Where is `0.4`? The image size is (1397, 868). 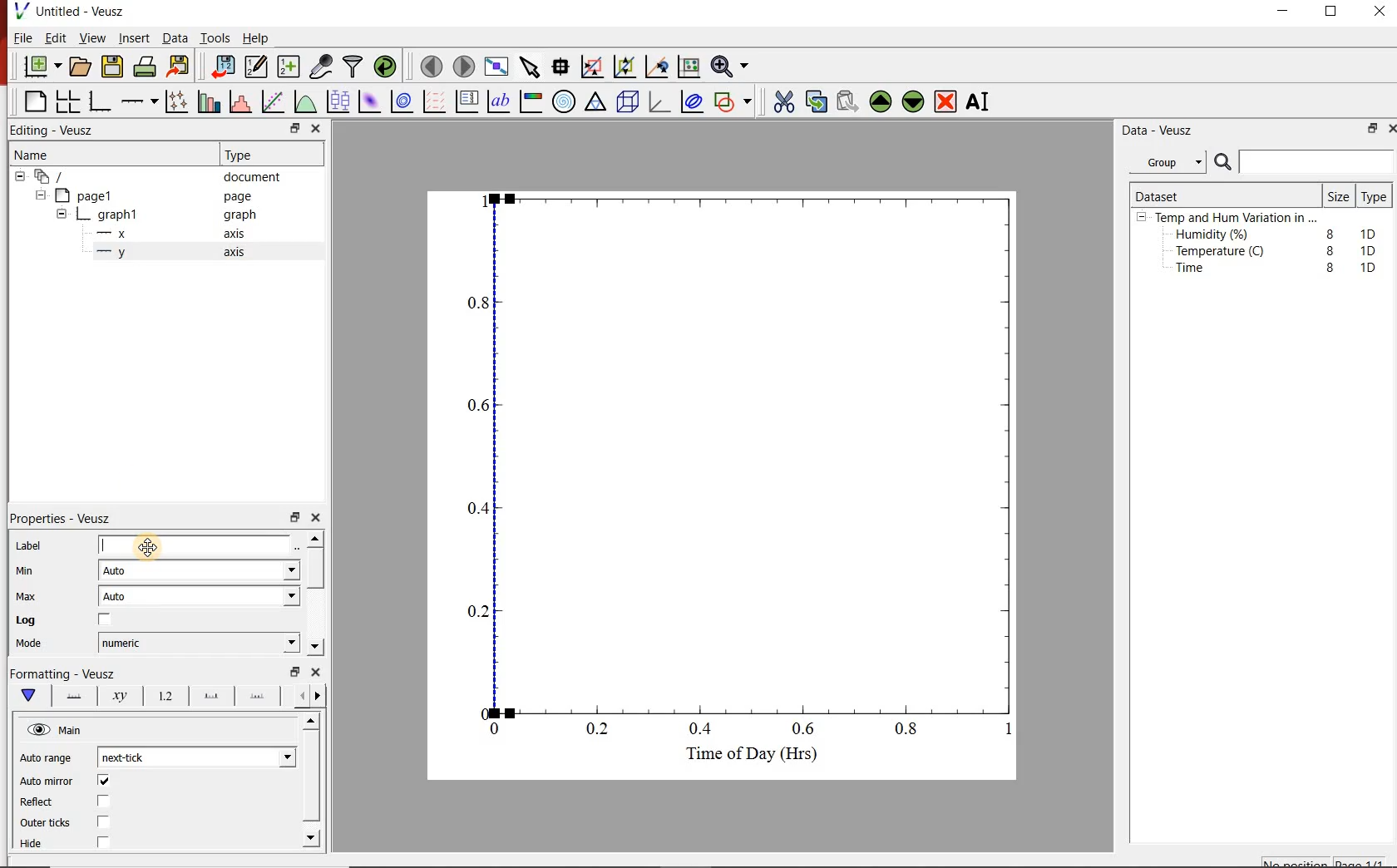
0.4 is located at coordinates (475, 509).